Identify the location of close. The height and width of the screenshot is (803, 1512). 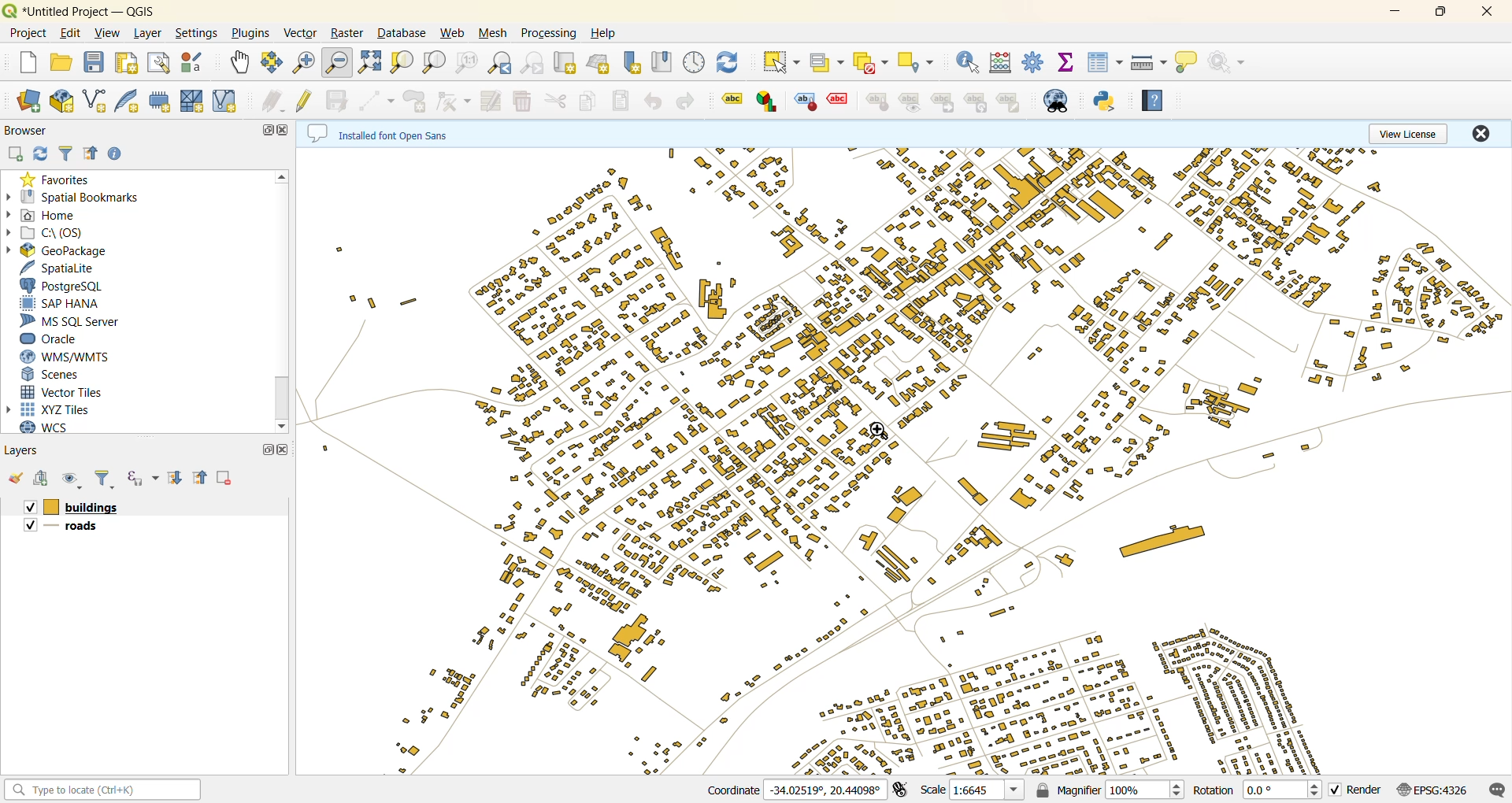
(1492, 13).